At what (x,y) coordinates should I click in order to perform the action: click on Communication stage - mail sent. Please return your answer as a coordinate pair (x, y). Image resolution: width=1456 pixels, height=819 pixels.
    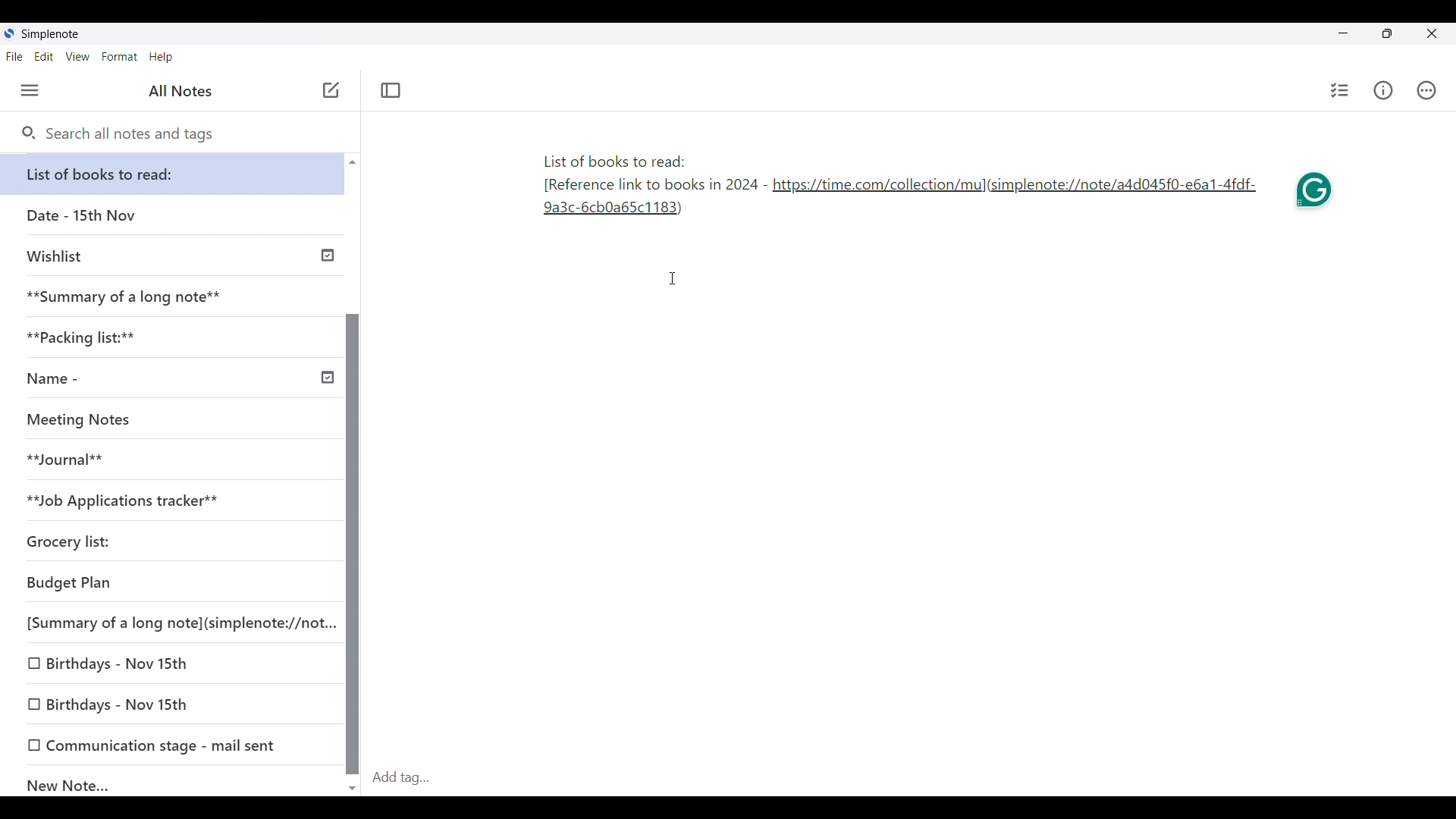
    Looking at the image, I should click on (173, 745).